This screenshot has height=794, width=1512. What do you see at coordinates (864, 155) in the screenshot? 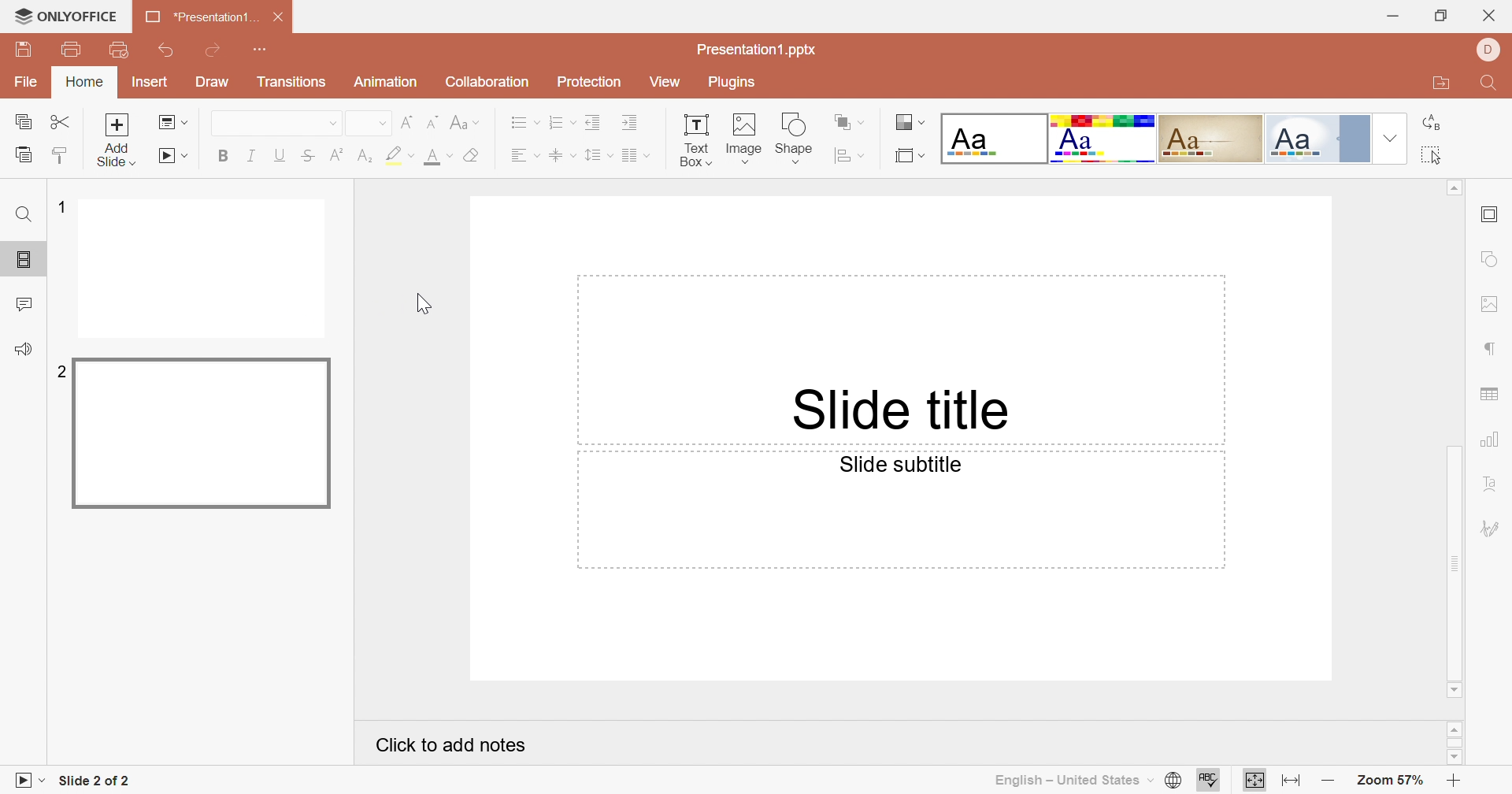
I see `Drop Down` at bounding box center [864, 155].